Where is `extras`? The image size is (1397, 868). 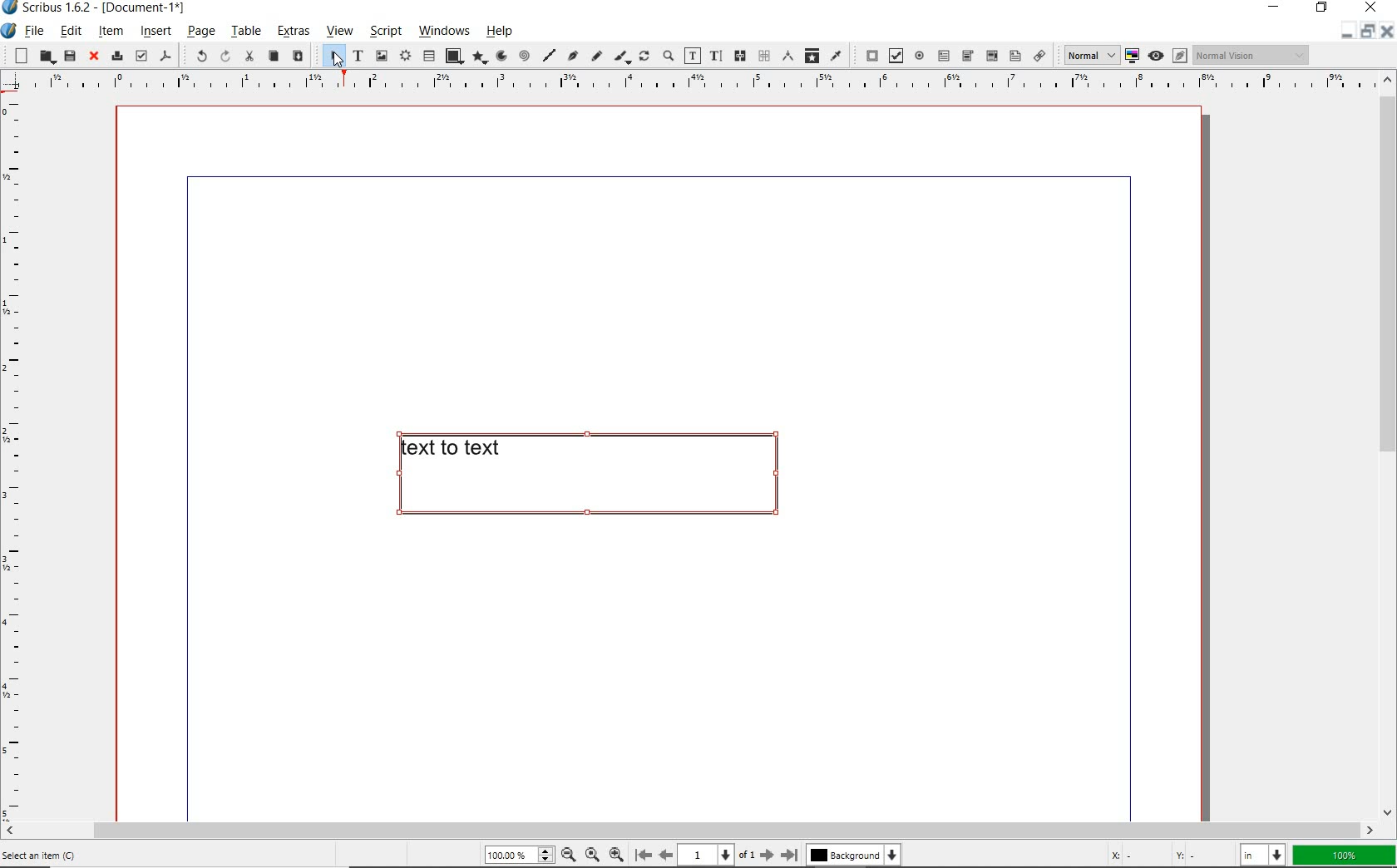
extras is located at coordinates (293, 33).